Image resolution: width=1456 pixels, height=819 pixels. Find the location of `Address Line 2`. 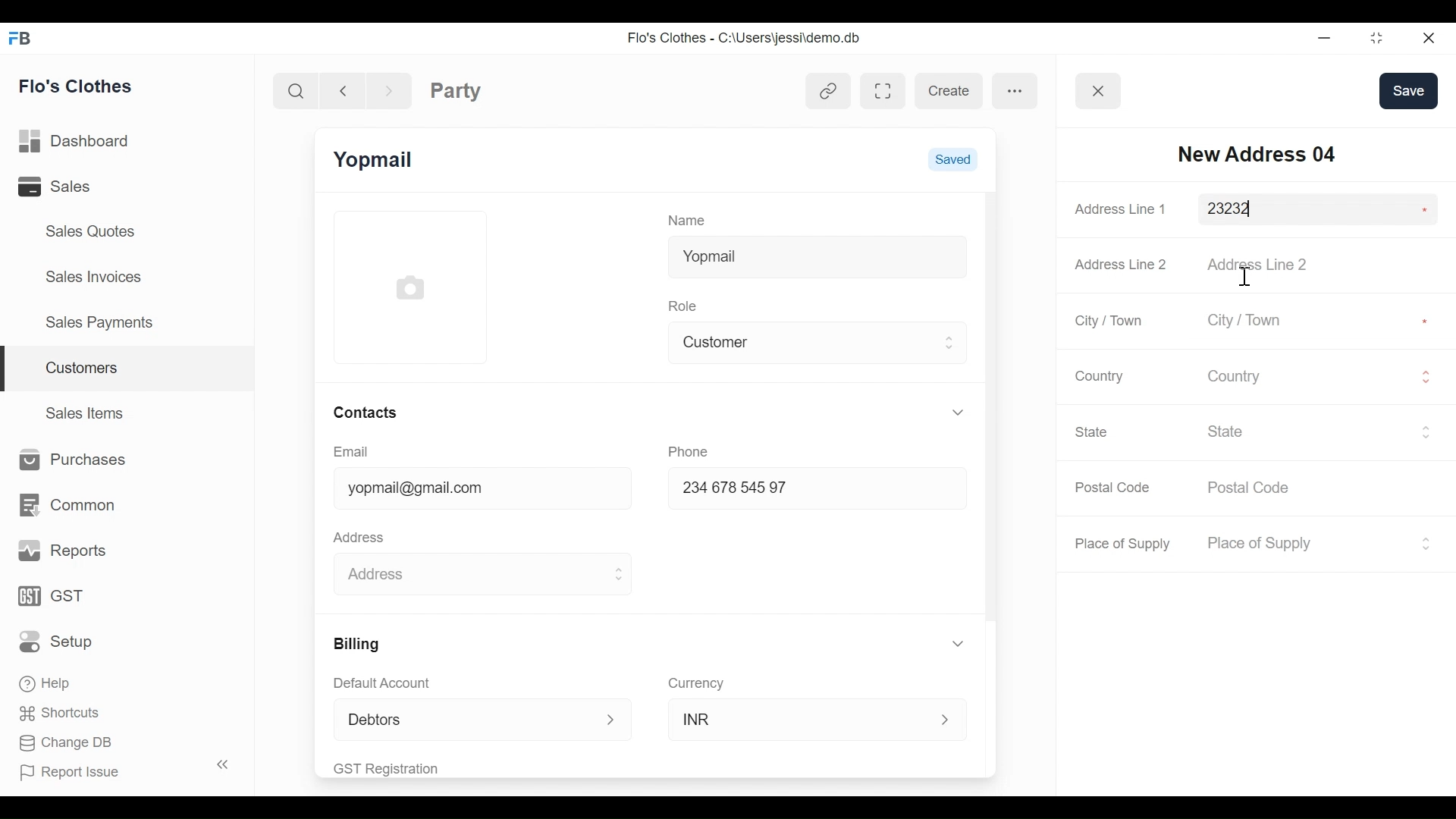

Address Line 2 is located at coordinates (1265, 264).